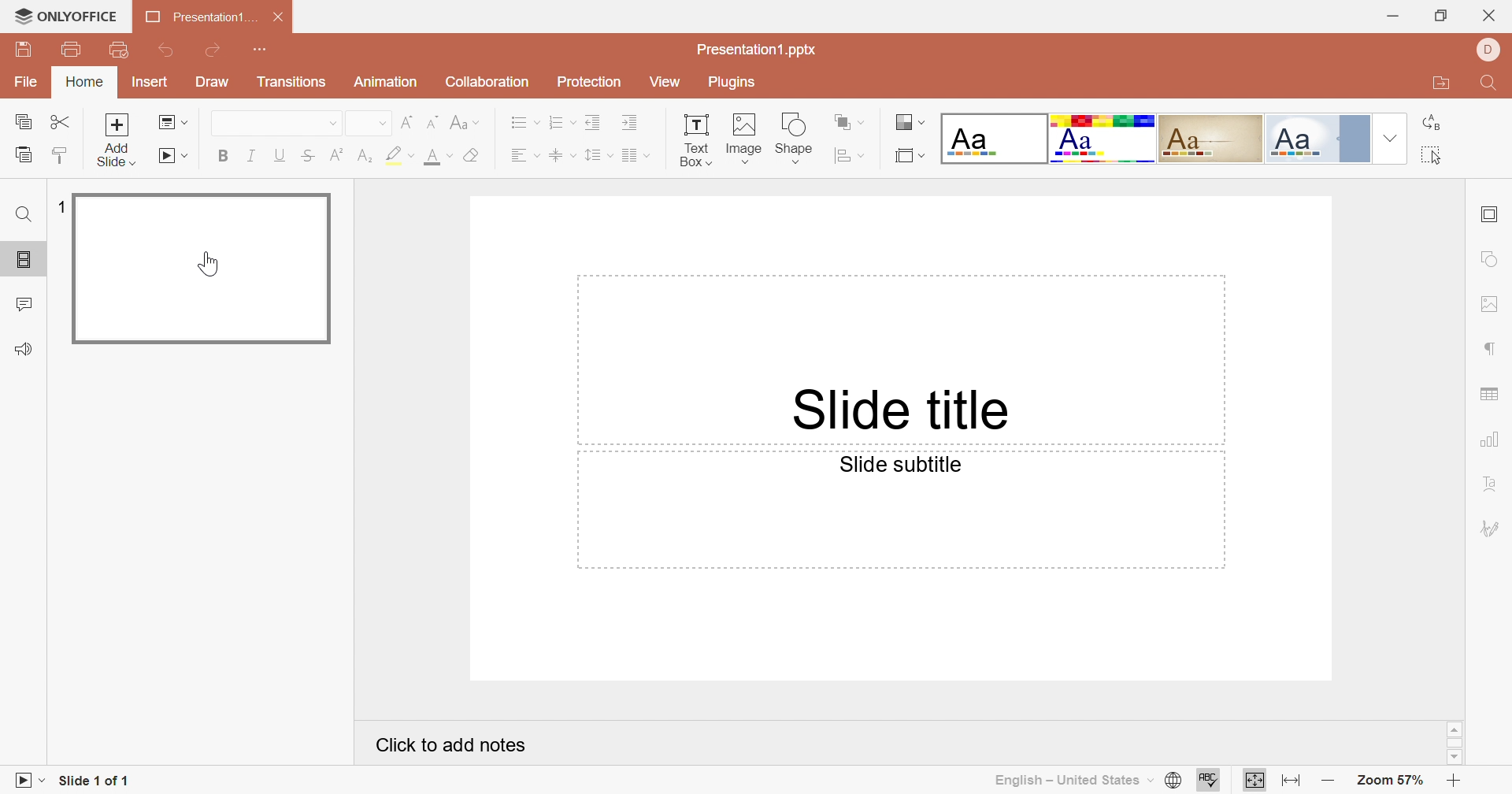  Describe the element at coordinates (380, 124) in the screenshot. I see `Drop Down` at that location.